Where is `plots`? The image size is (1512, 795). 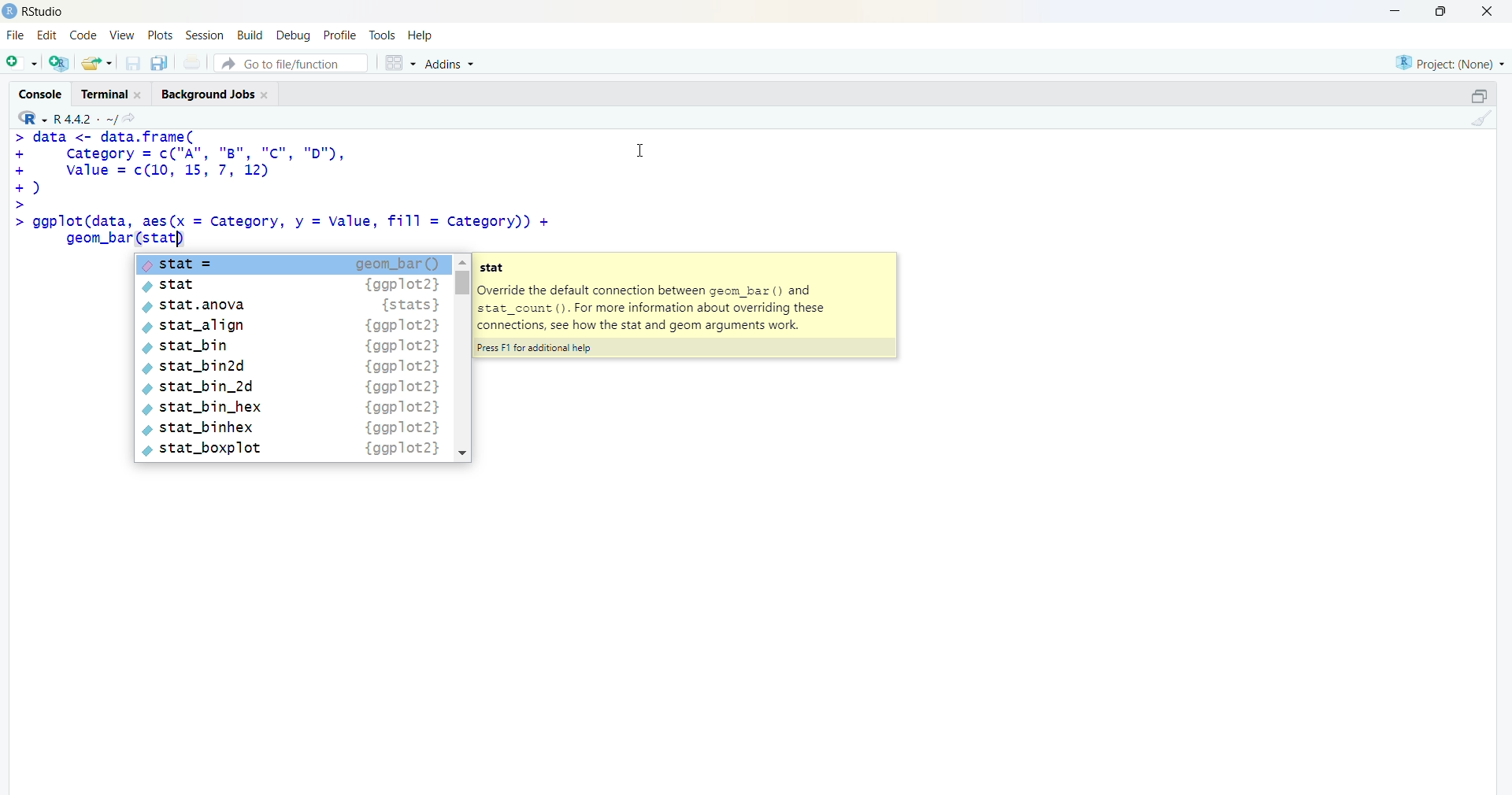 plots is located at coordinates (162, 35).